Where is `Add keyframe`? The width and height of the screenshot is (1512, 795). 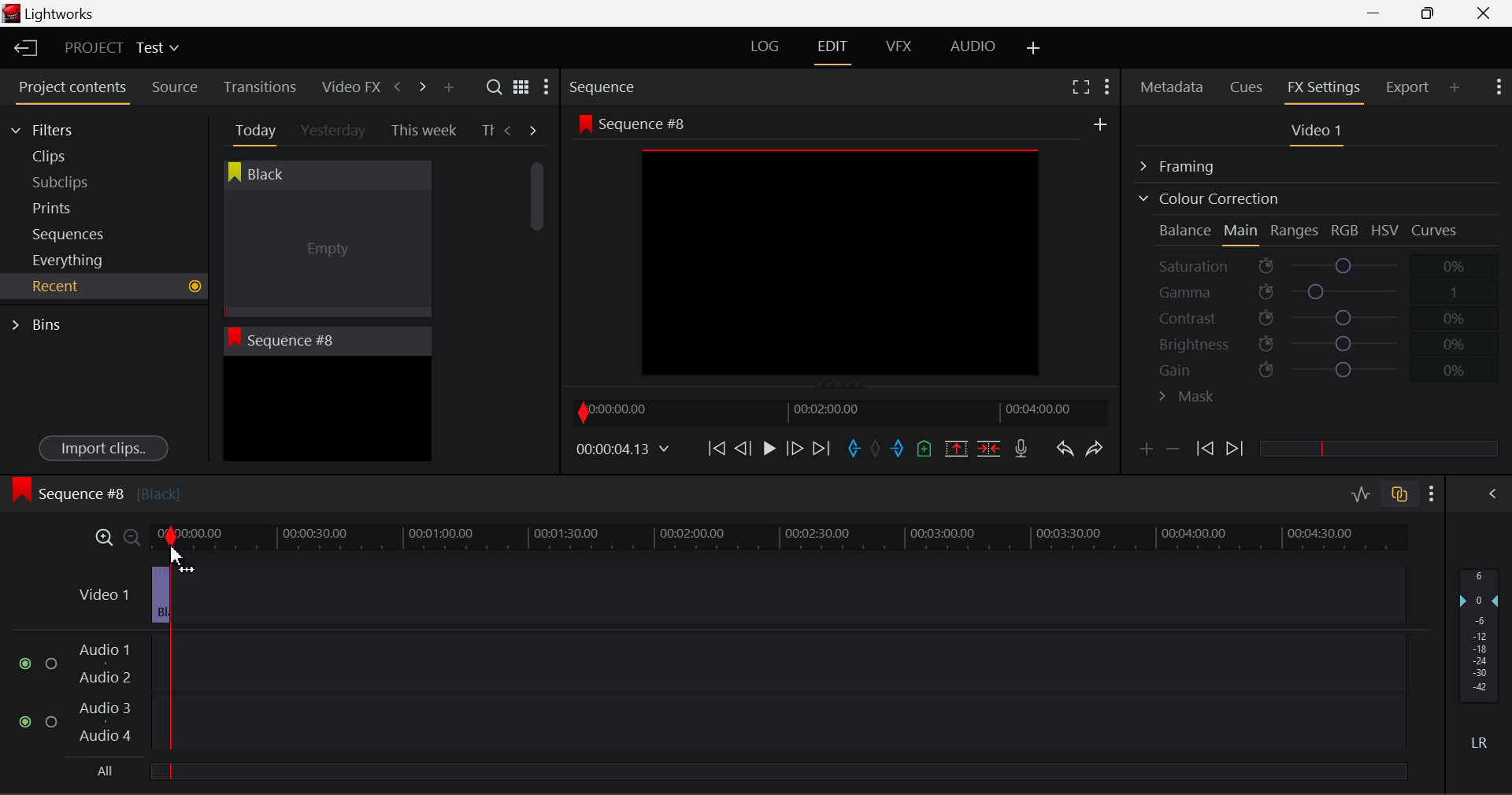 Add keyframe is located at coordinates (1143, 452).